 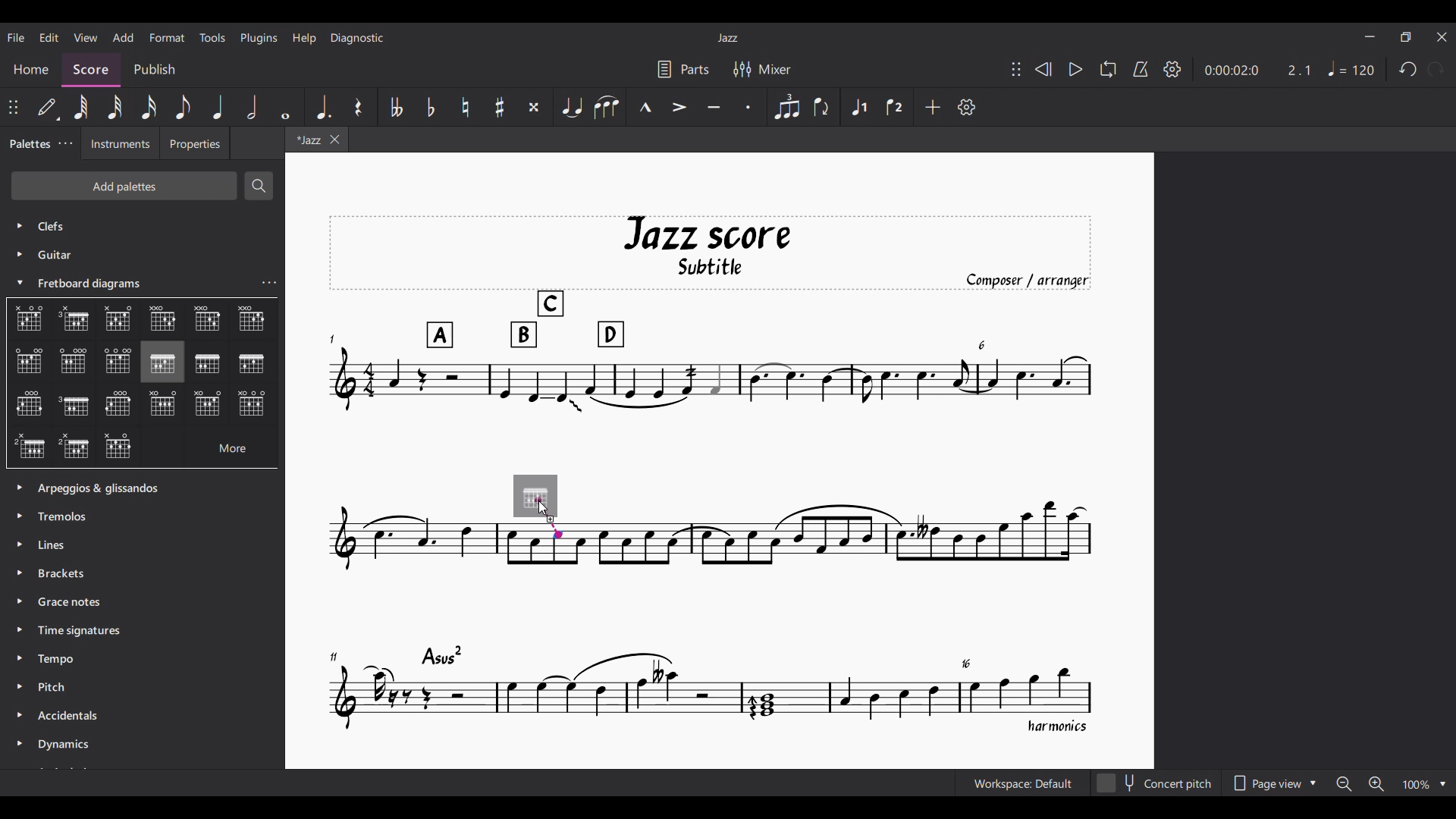 I want to click on Help menu, so click(x=305, y=39).